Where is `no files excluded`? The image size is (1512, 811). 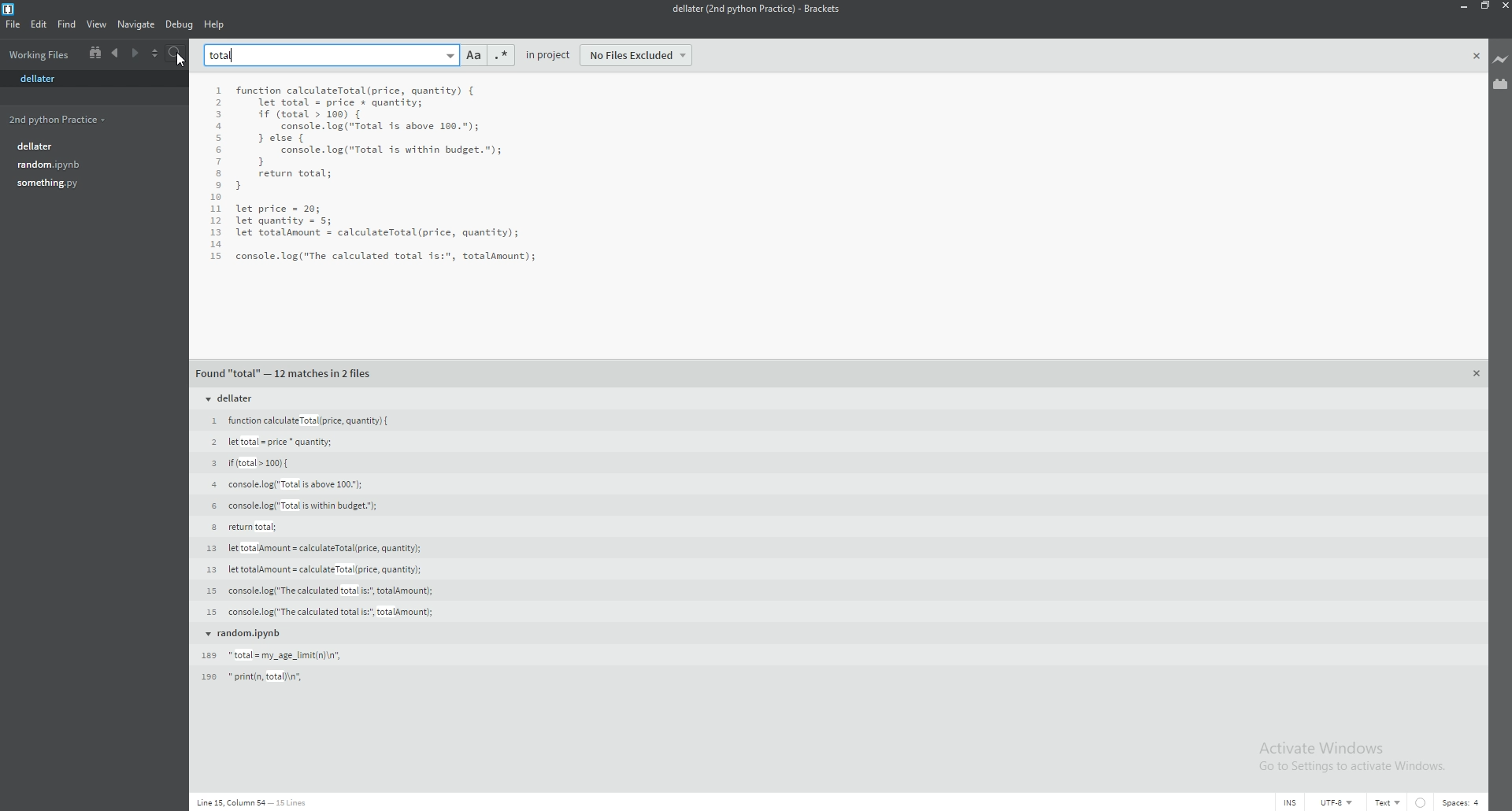
no files excluded is located at coordinates (636, 55).